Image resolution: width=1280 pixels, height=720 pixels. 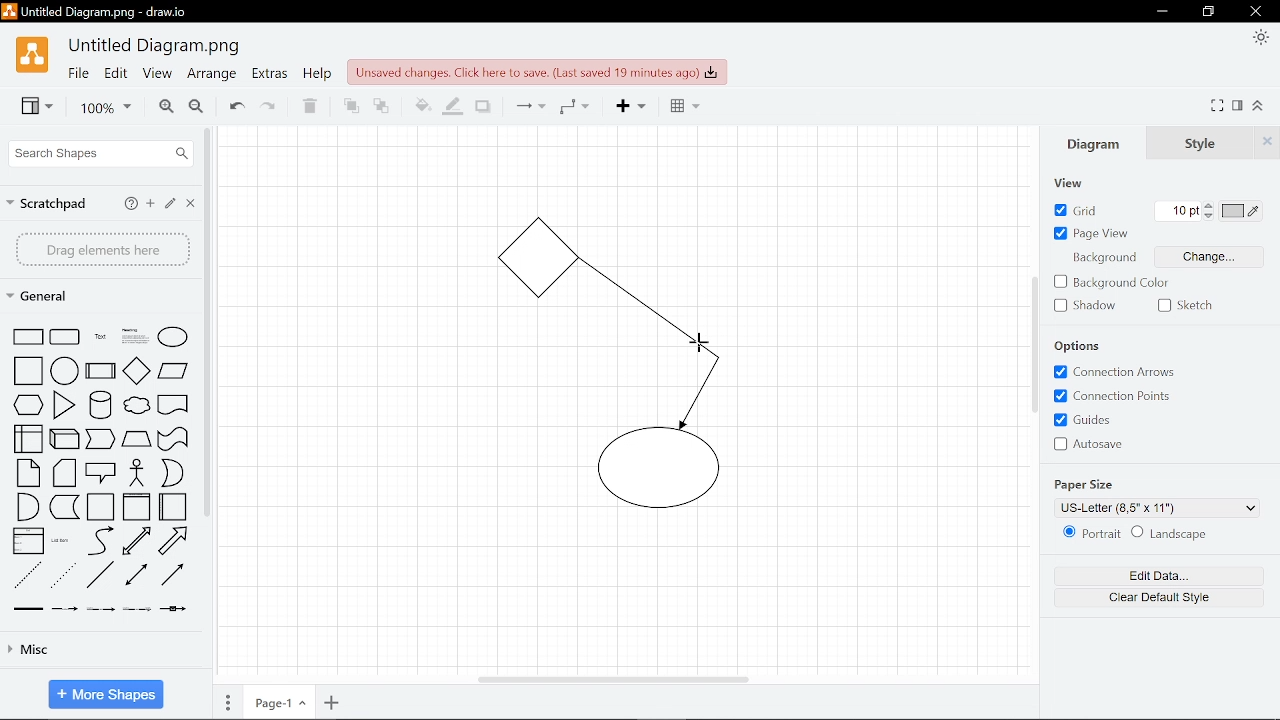 What do you see at coordinates (1121, 284) in the screenshot?
I see `background color` at bounding box center [1121, 284].